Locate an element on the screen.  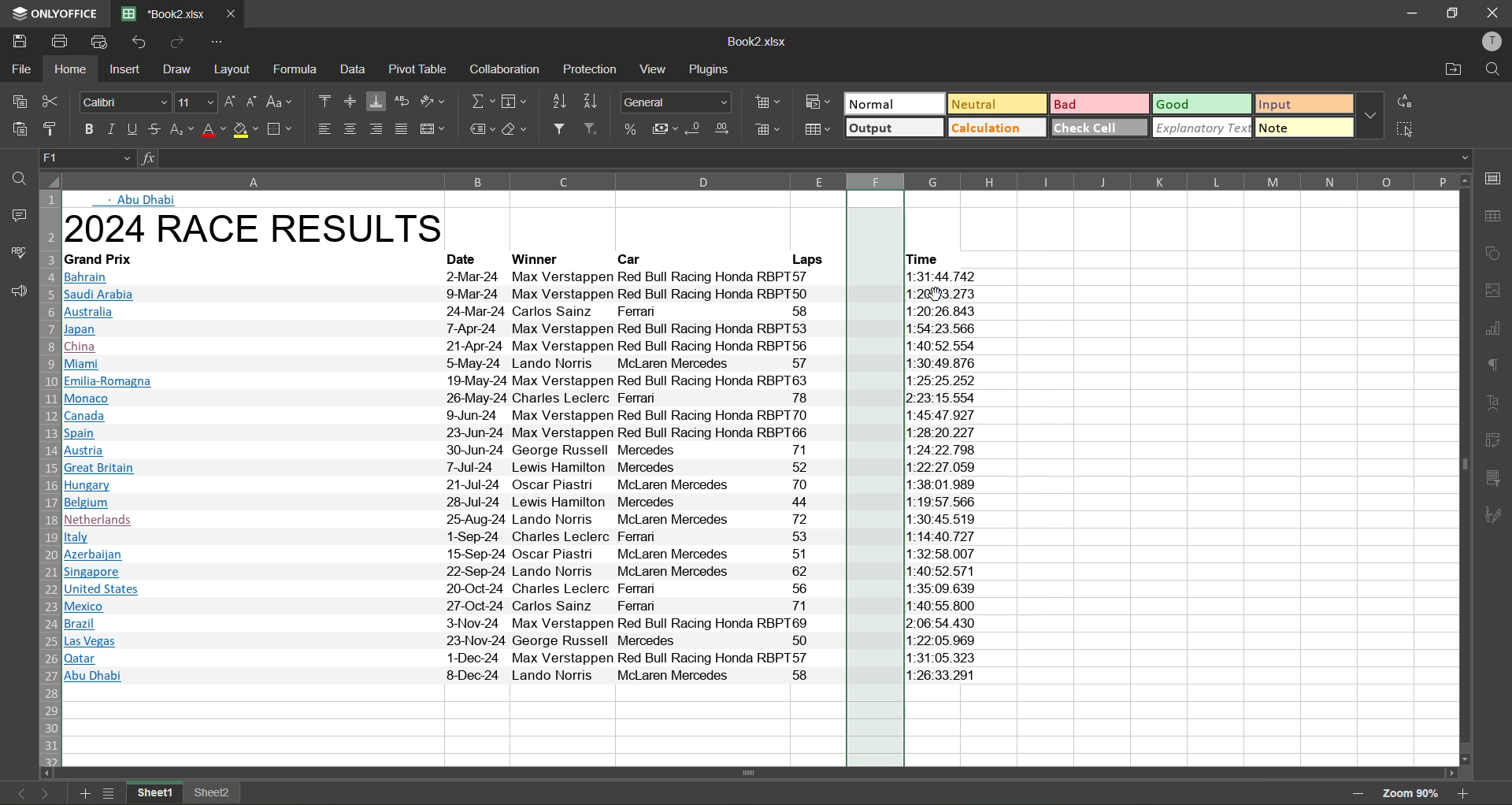
Qatar 1-Dec-24 Max Verstappen Red Bull Racing Honda RBPTS57 1:31:05.323 is located at coordinates (440, 658).